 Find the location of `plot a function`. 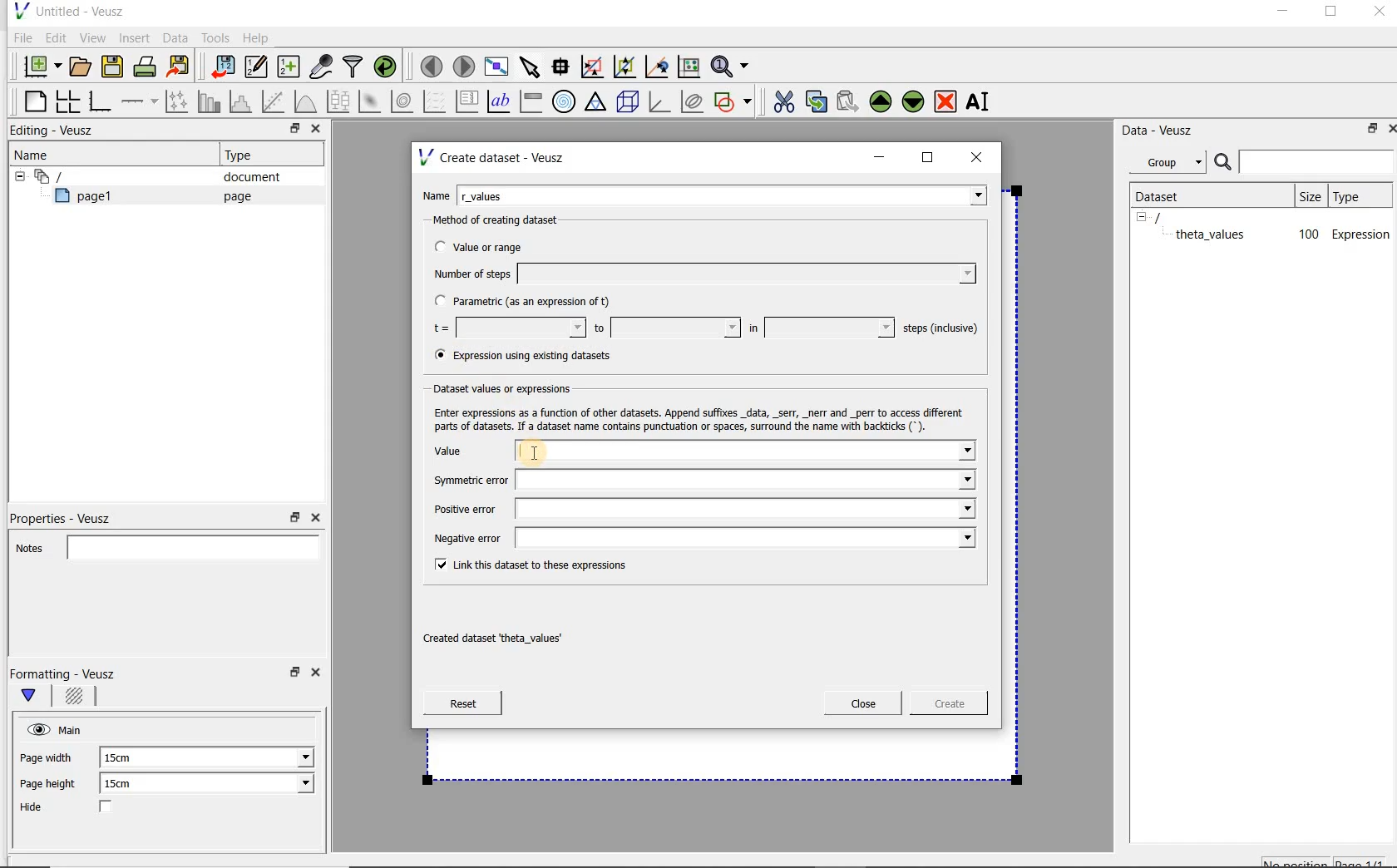

plot a function is located at coordinates (304, 101).